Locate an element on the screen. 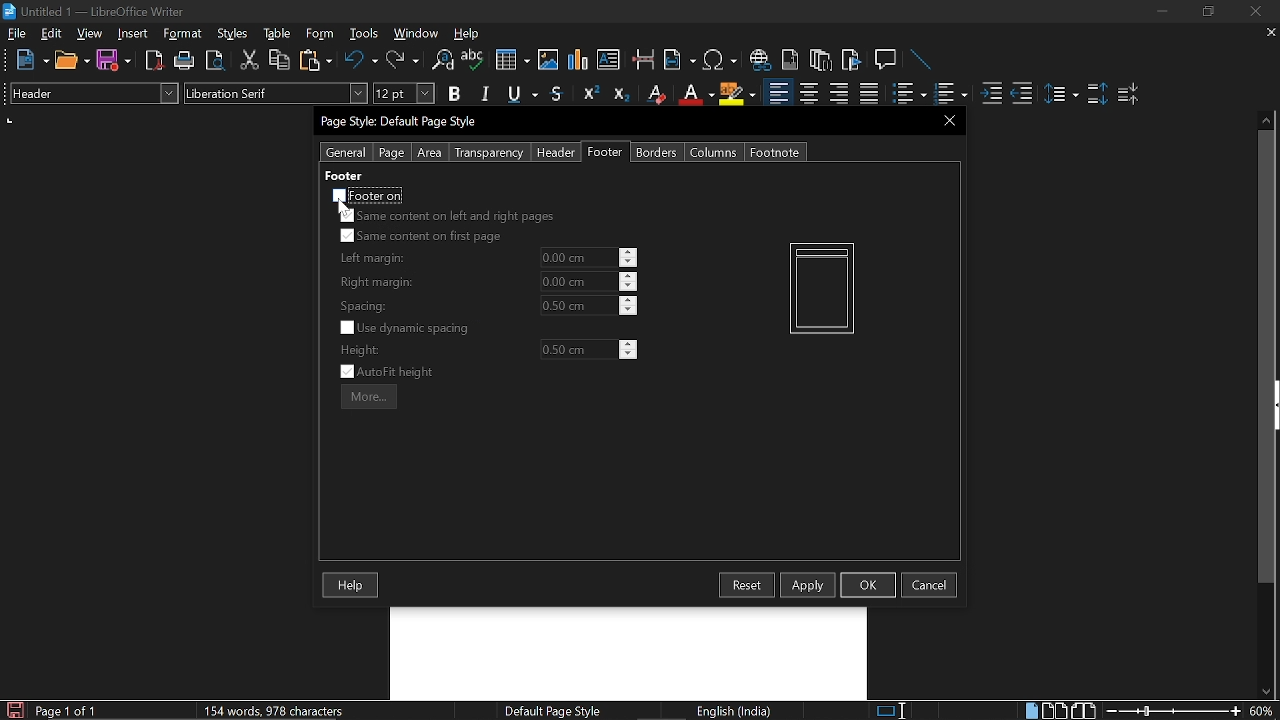  Undo is located at coordinates (362, 60).